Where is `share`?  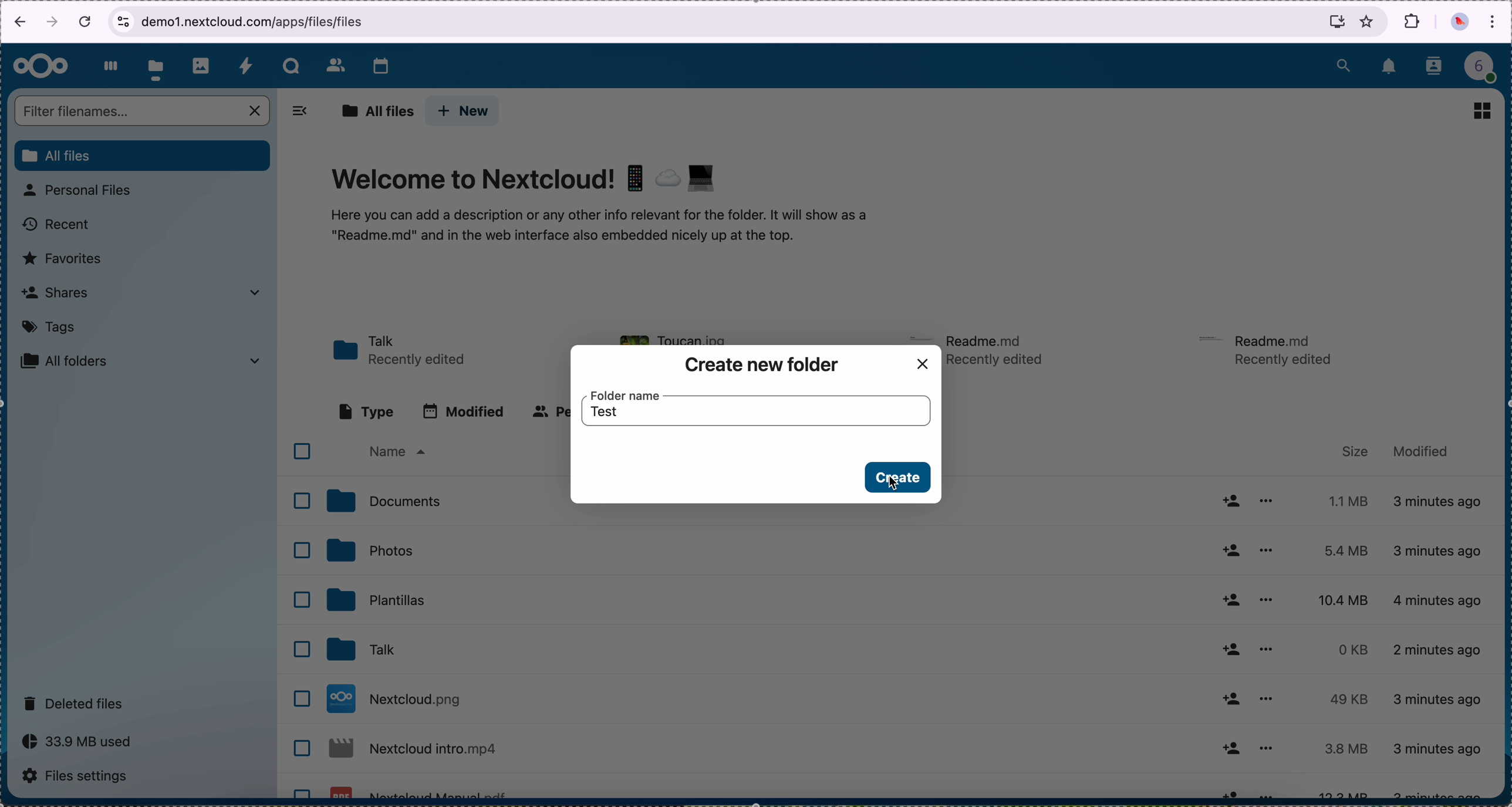 share is located at coordinates (1229, 549).